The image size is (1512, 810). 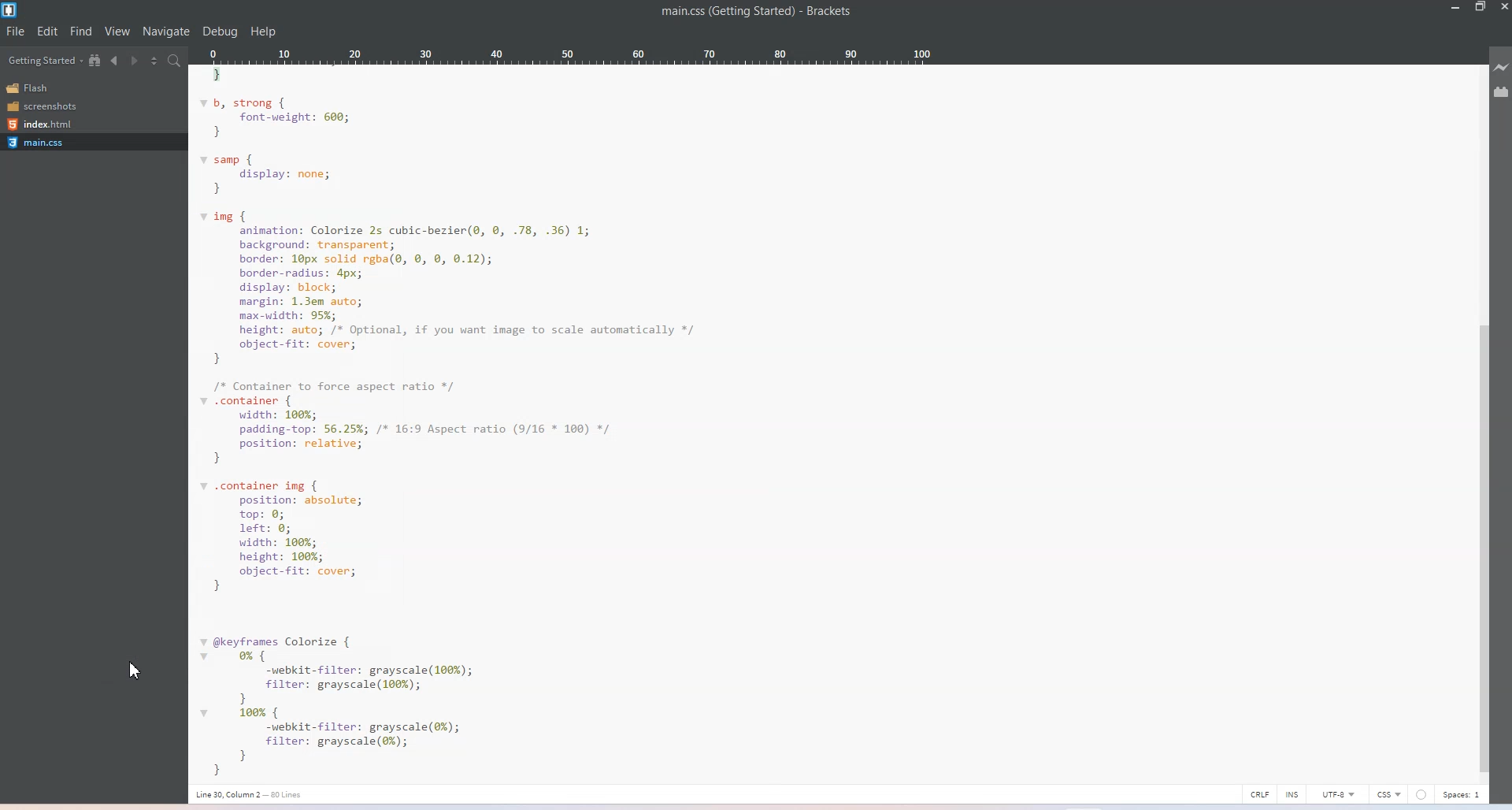 What do you see at coordinates (828, 12) in the screenshot?
I see `Brackets` at bounding box center [828, 12].